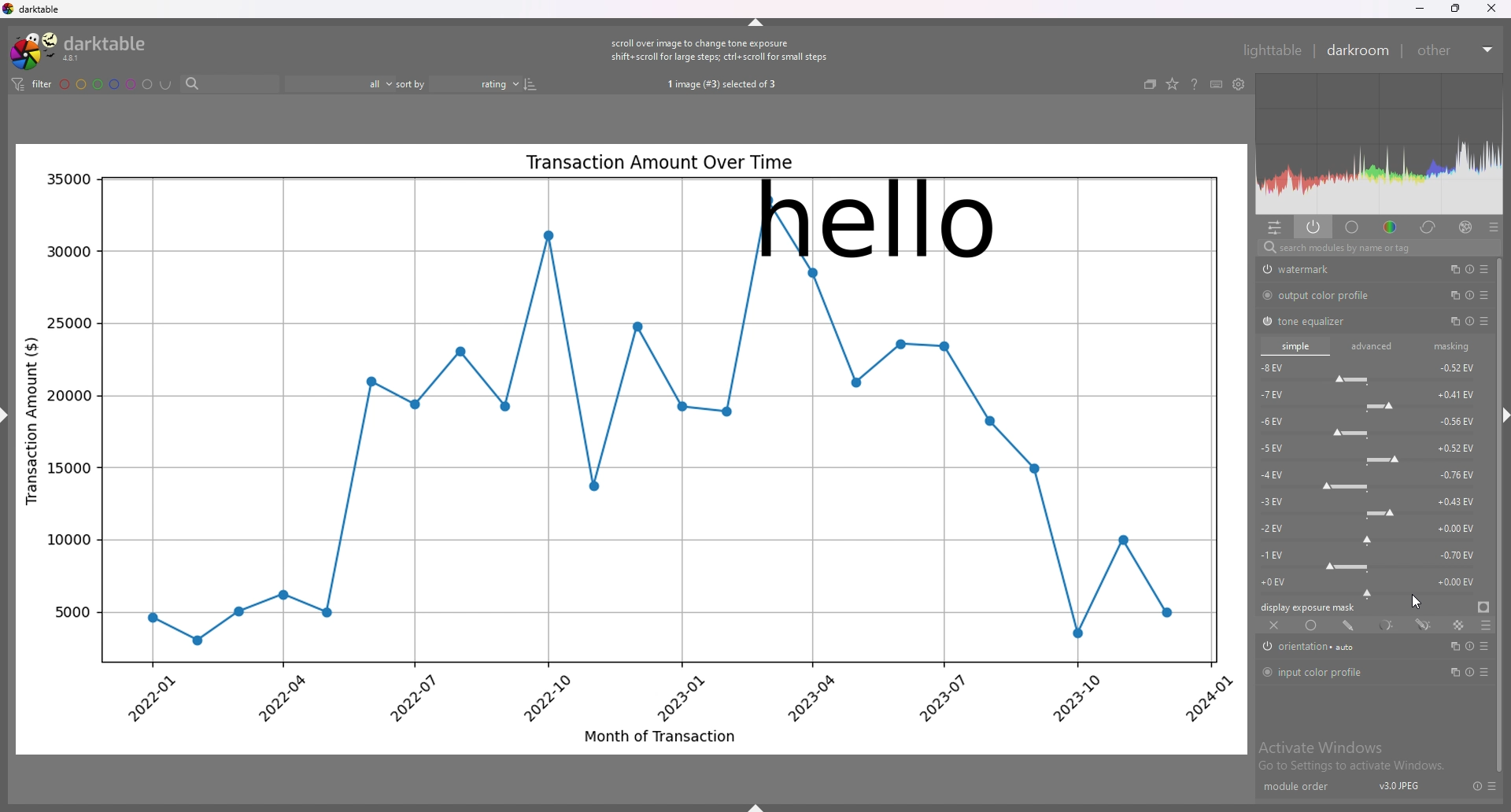 The width and height of the screenshot is (1511, 812). What do you see at coordinates (105, 85) in the screenshot?
I see `color labels` at bounding box center [105, 85].